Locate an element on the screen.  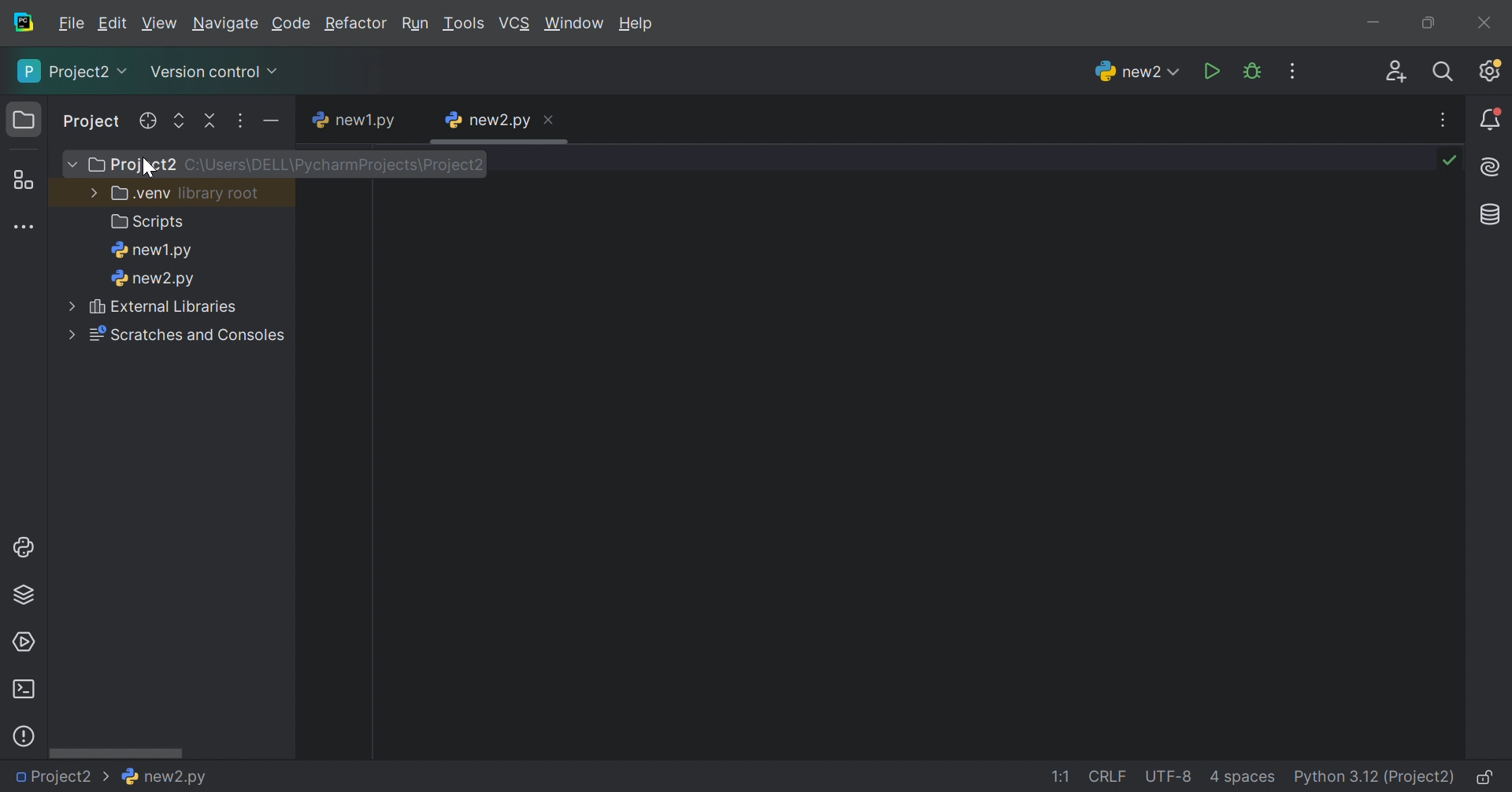
1:1 is located at coordinates (1061, 778).